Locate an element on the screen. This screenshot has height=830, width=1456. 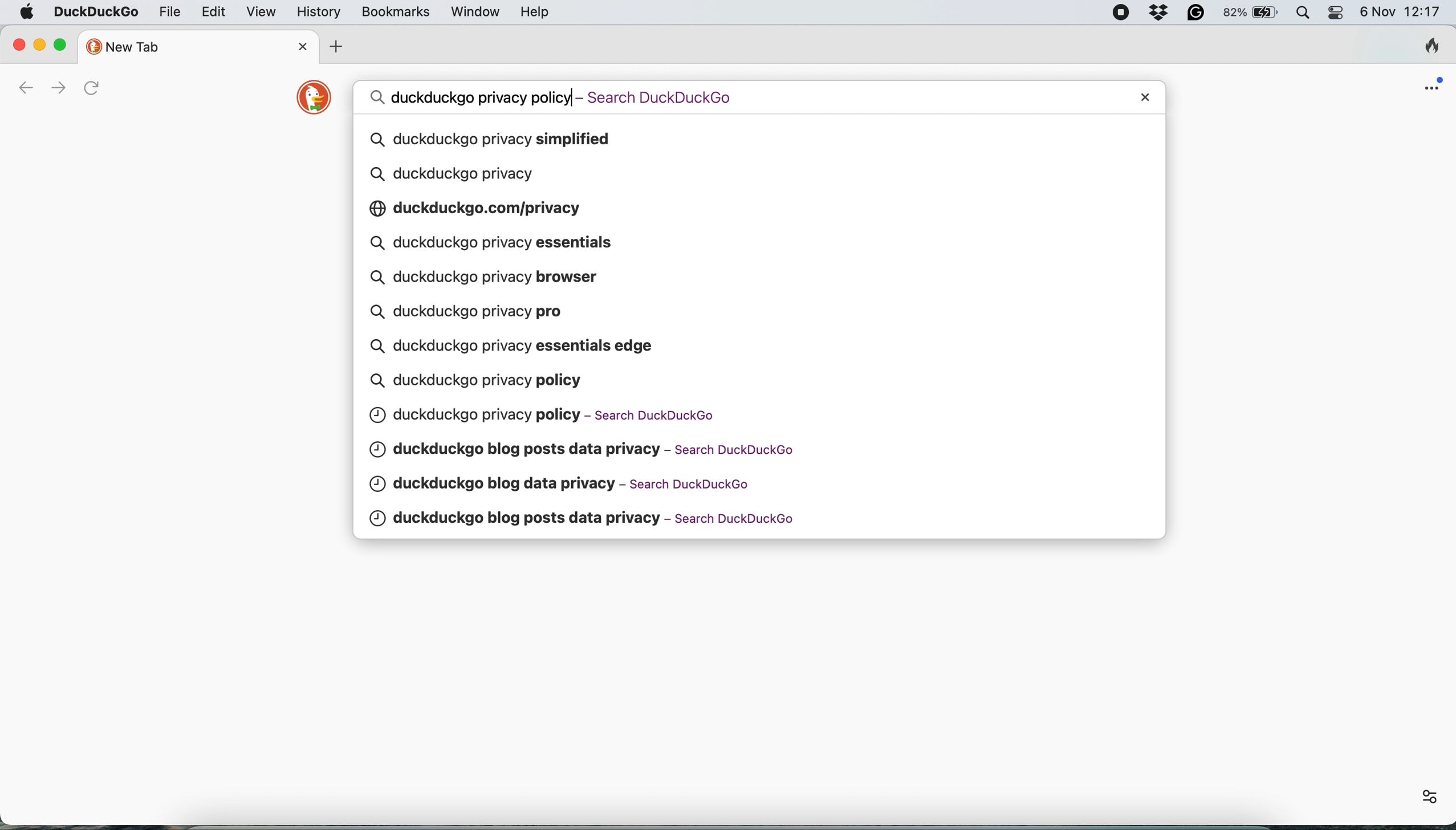
system logo is located at coordinates (27, 13).